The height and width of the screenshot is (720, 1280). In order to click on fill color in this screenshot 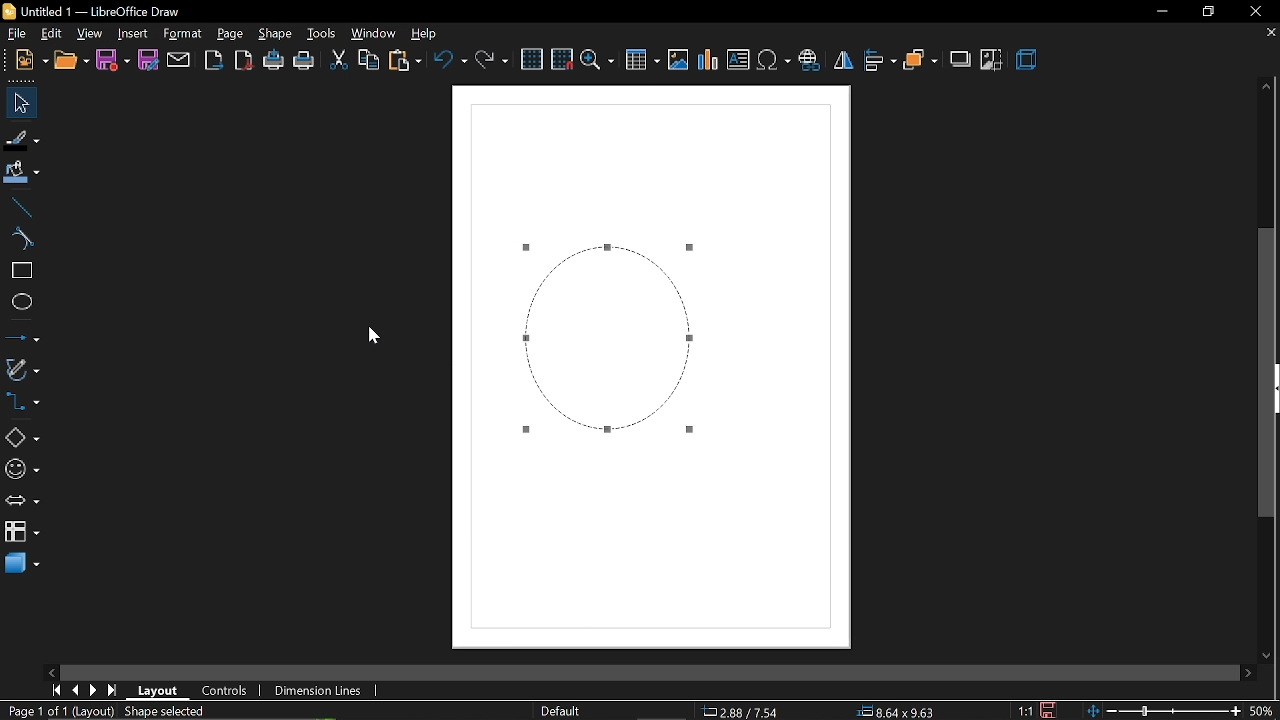, I will do `click(22, 170)`.